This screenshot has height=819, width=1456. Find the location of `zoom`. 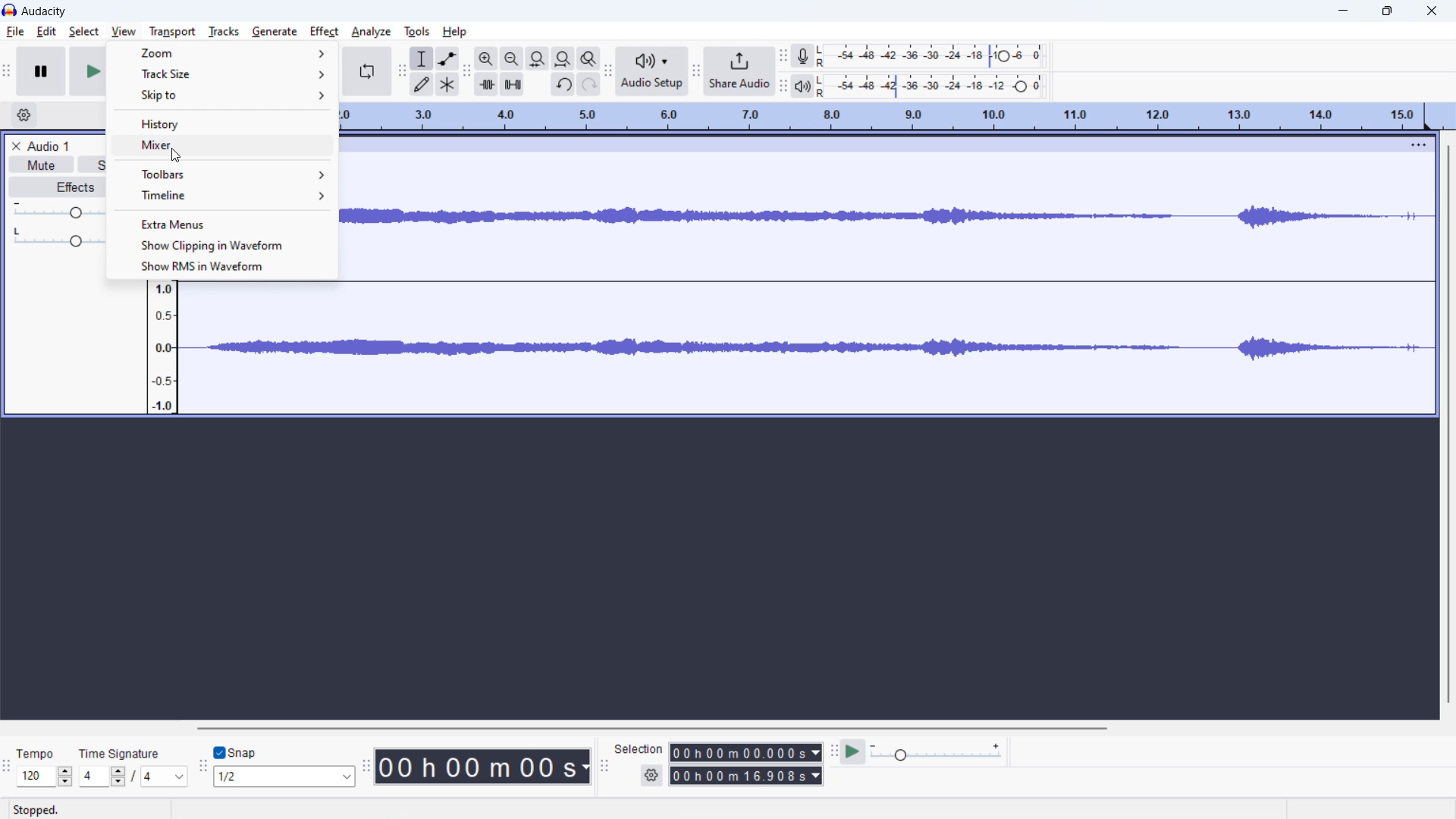

zoom is located at coordinates (222, 52).